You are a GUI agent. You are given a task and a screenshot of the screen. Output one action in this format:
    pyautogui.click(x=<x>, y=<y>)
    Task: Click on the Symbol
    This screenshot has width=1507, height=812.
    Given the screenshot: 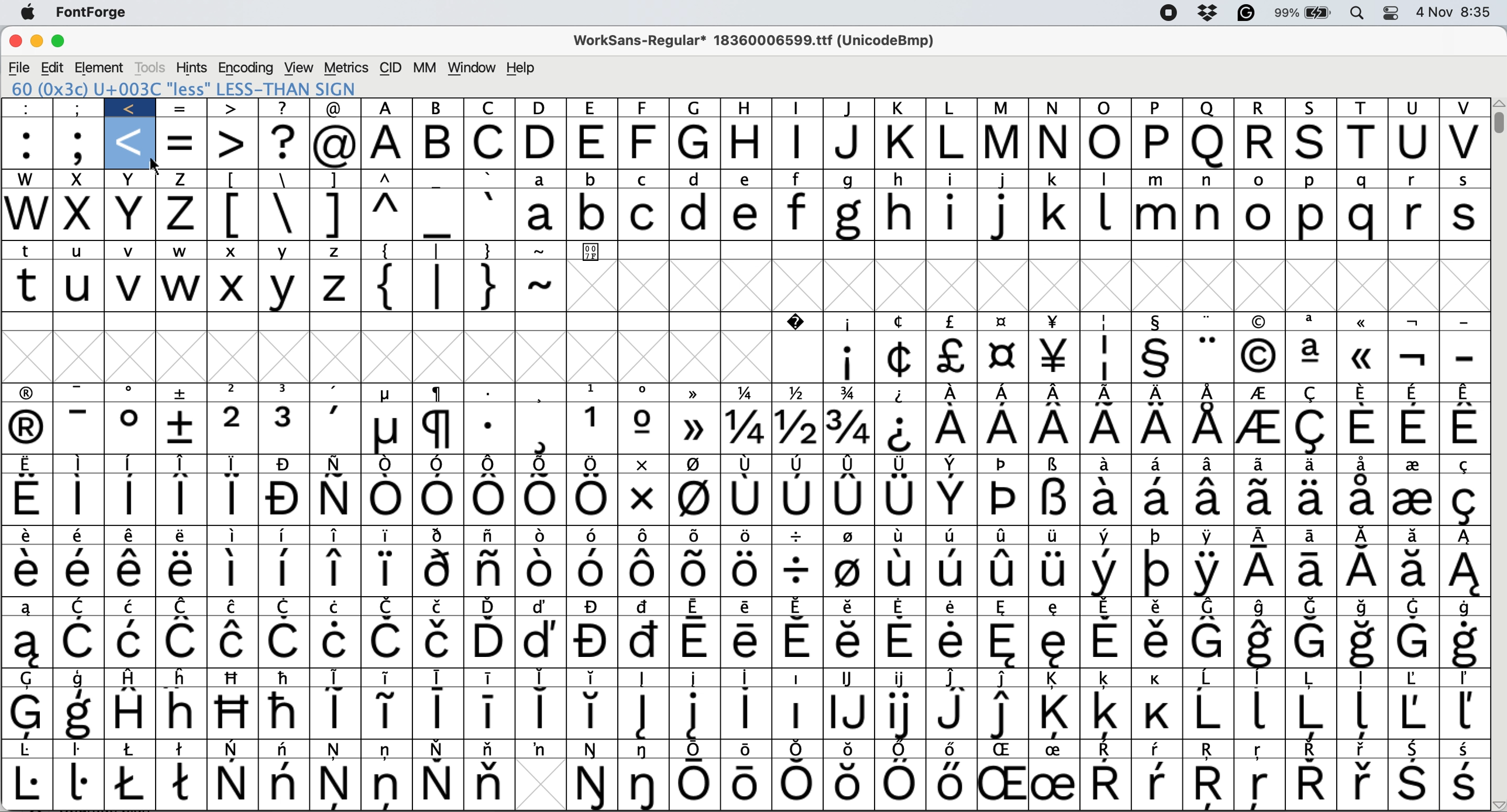 What is the action you would take?
    pyautogui.click(x=1415, y=465)
    